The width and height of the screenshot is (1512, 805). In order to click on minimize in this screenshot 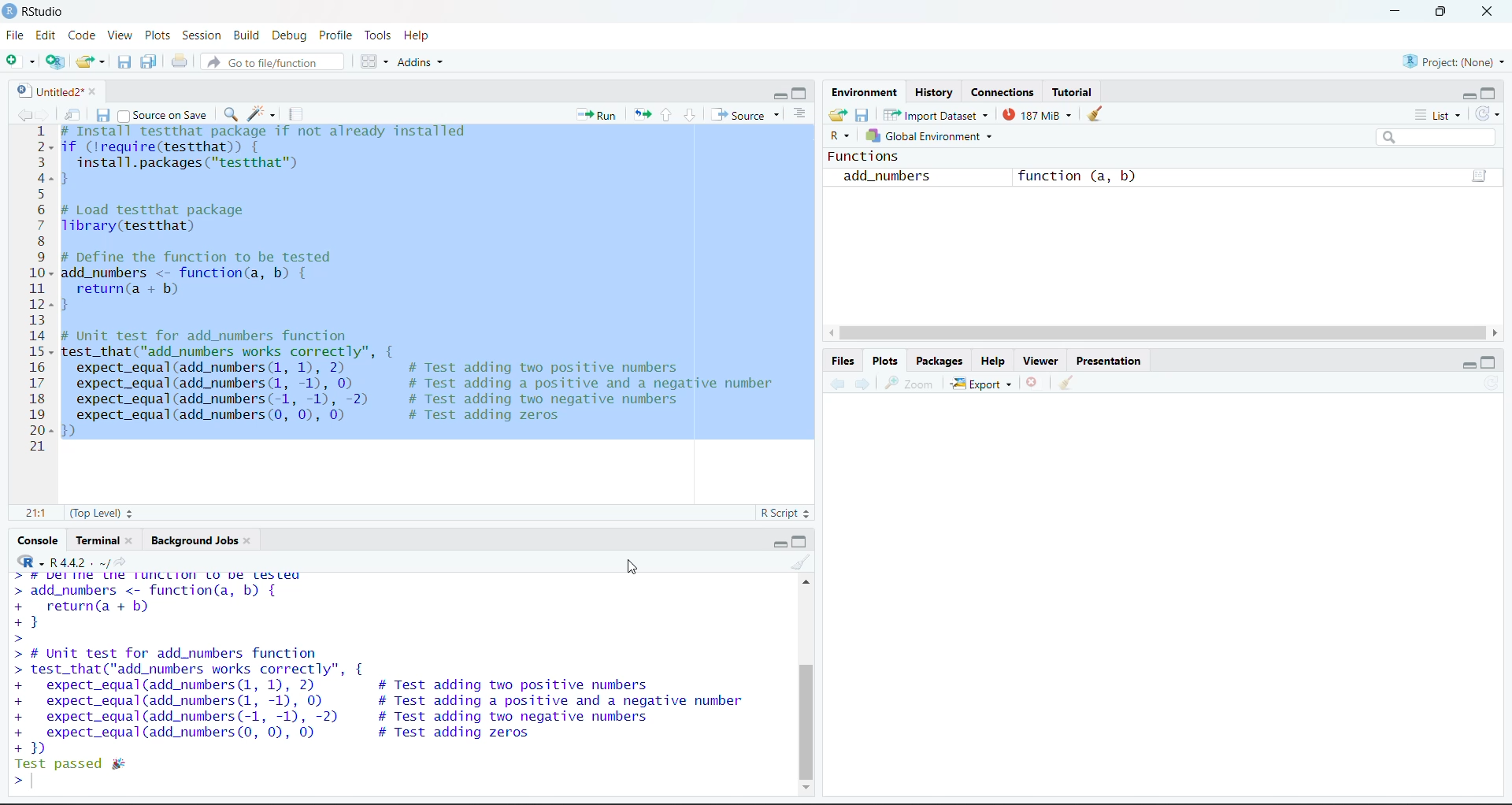, I will do `click(1468, 95)`.